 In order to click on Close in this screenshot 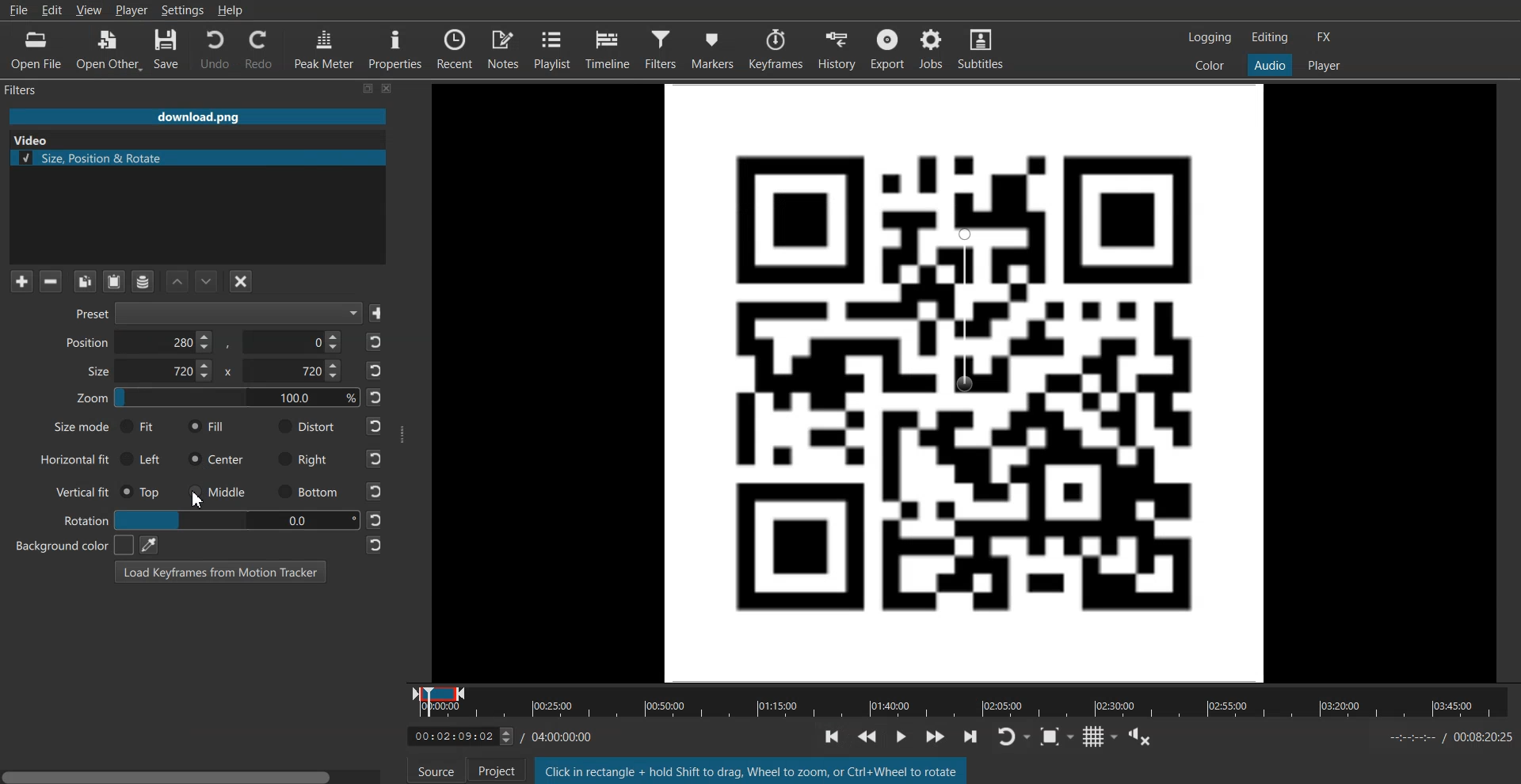, I will do `click(388, 89)`.